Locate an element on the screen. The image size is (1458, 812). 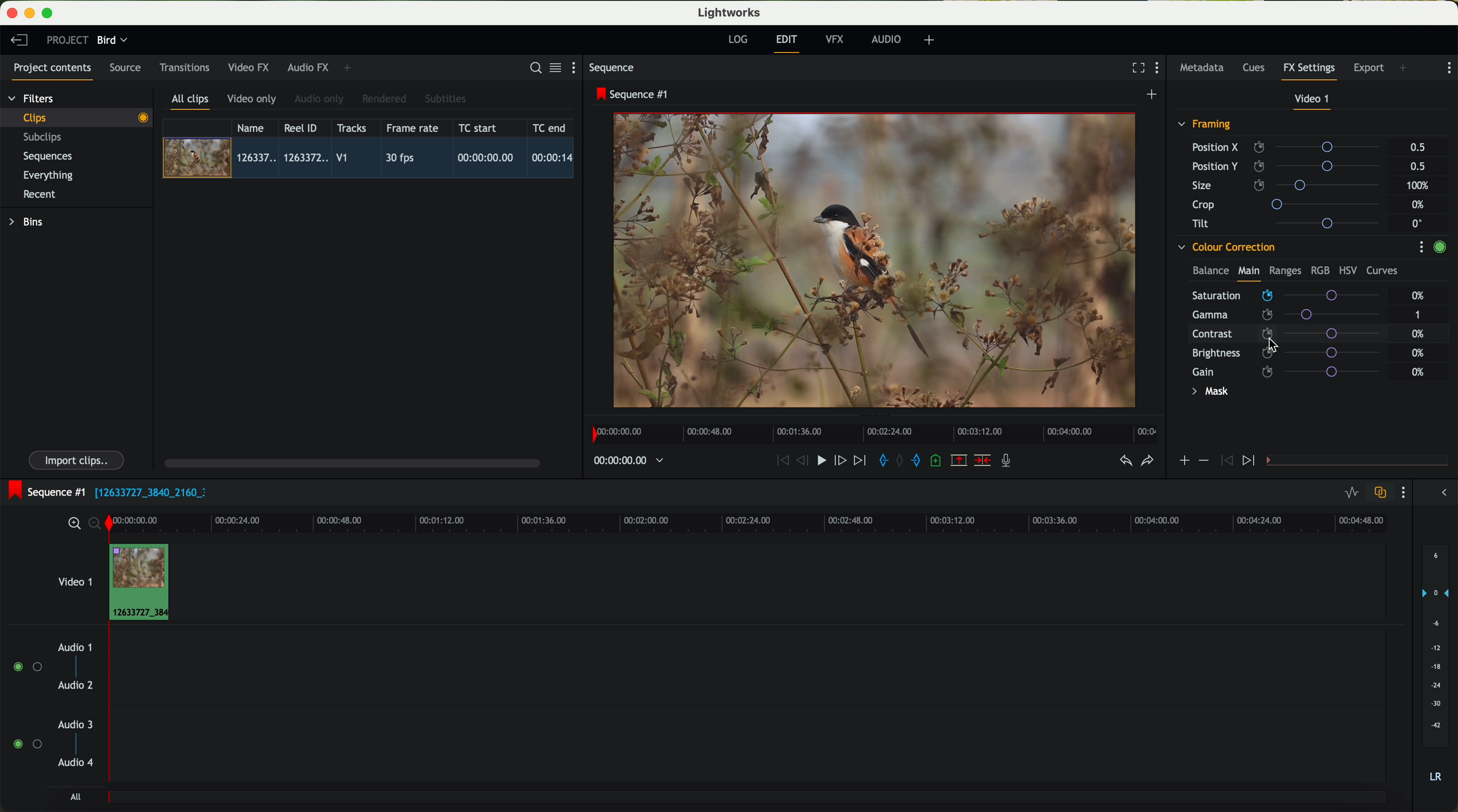
Lightworks is located at coordinates (730, 12).